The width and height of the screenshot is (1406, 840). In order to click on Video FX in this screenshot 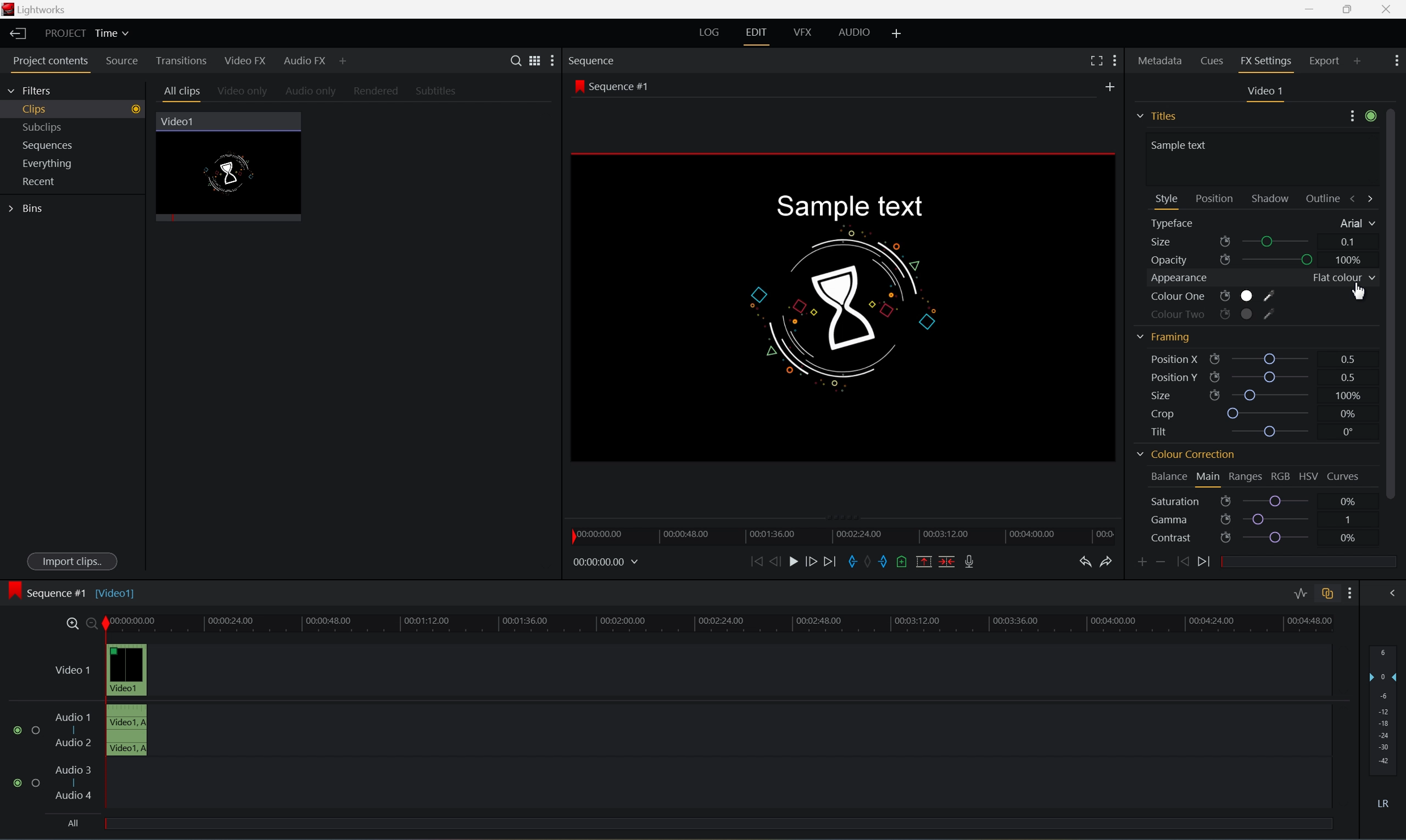, I will do `click(247, 61)`.